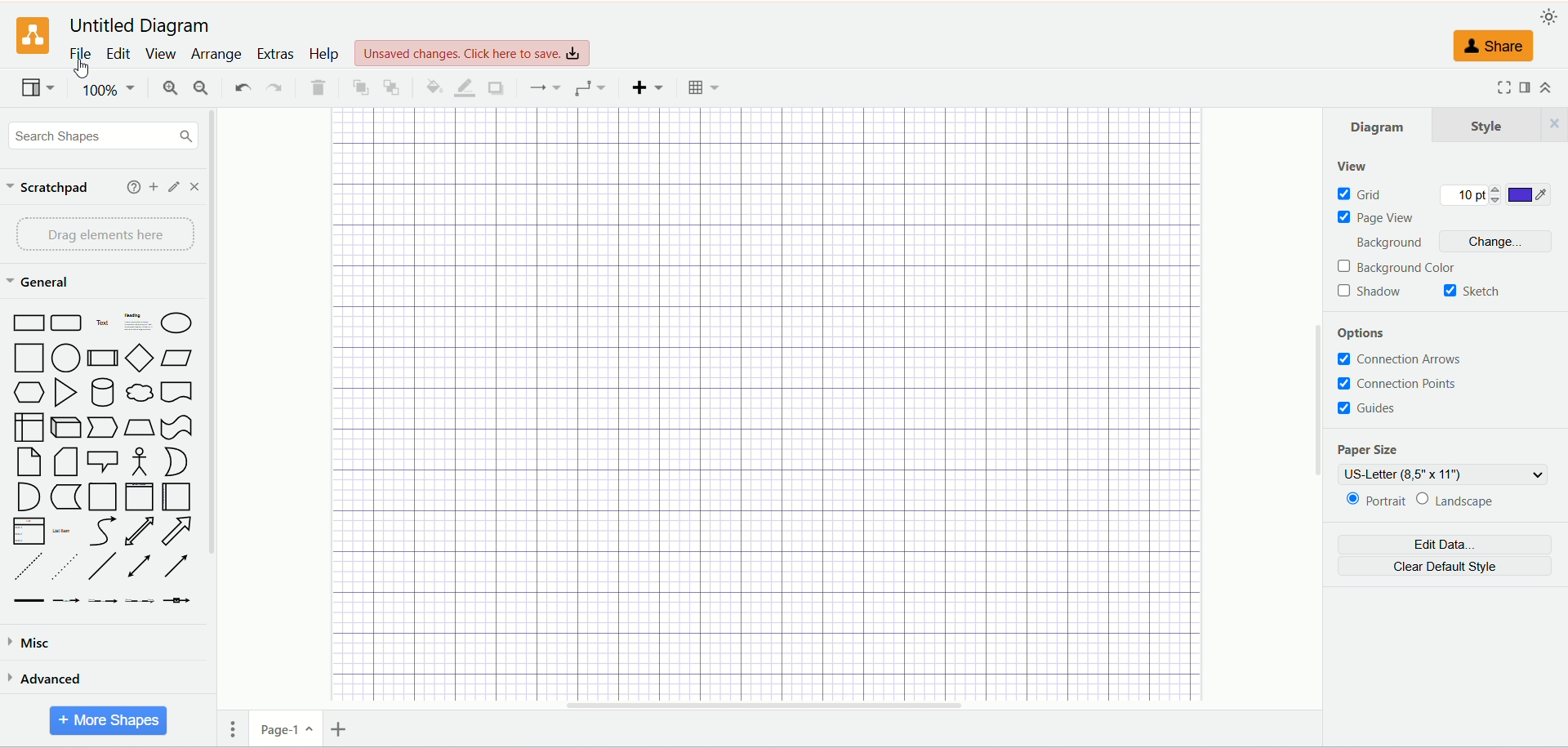 Image resolution: width=1568 pixels, height=748 pixels. I want to click on Connector with Icon Symbol, so click(178, 602).